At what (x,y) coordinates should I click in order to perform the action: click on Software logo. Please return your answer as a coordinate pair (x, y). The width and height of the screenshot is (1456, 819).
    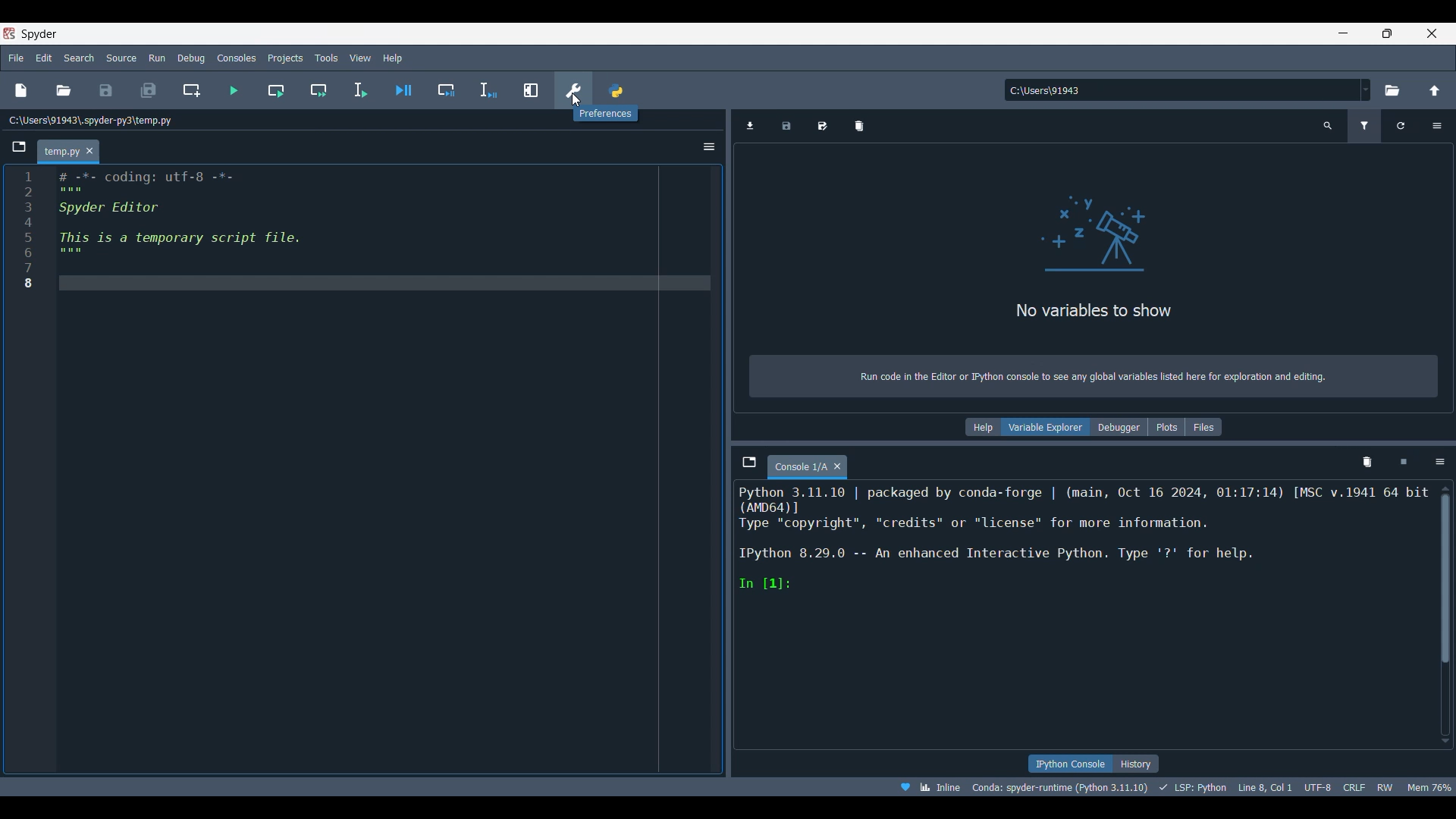
    Looking at the image, I should click on (9, 33).